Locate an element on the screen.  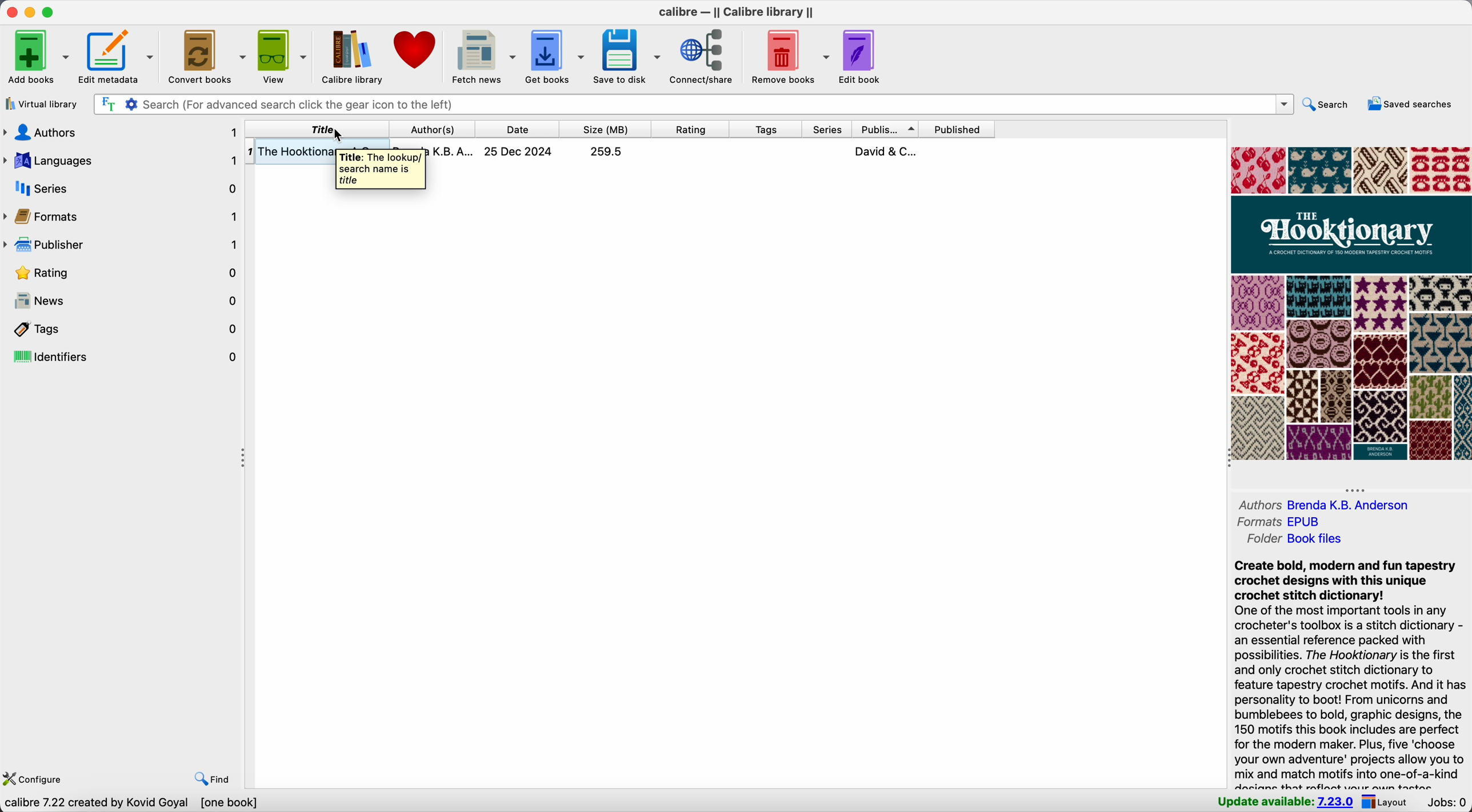
author(s) is located at coordinates (431, 129).